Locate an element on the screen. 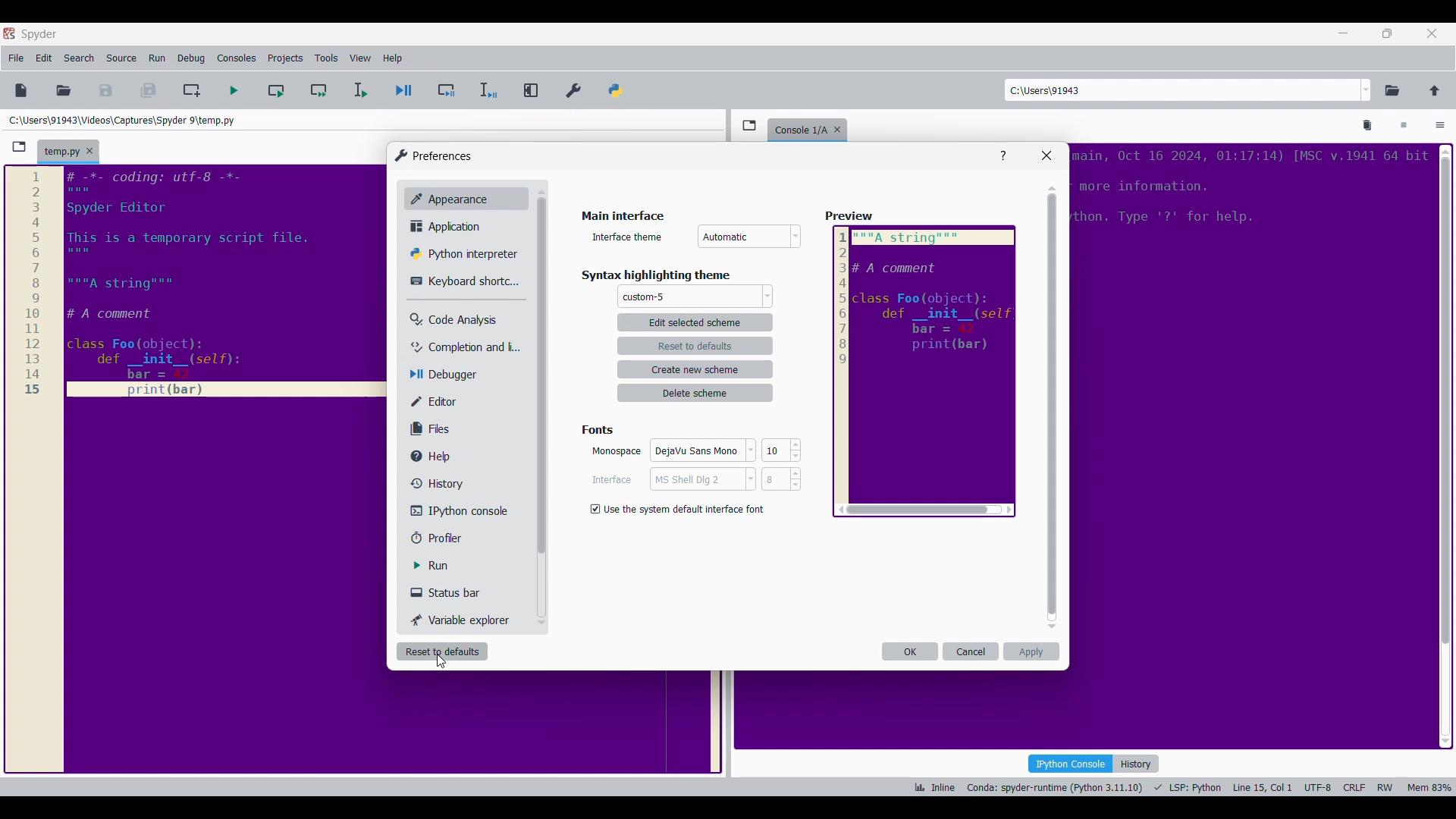 This screenshot has width=1456, height=819. Preview is located at coordinates (921, 363).